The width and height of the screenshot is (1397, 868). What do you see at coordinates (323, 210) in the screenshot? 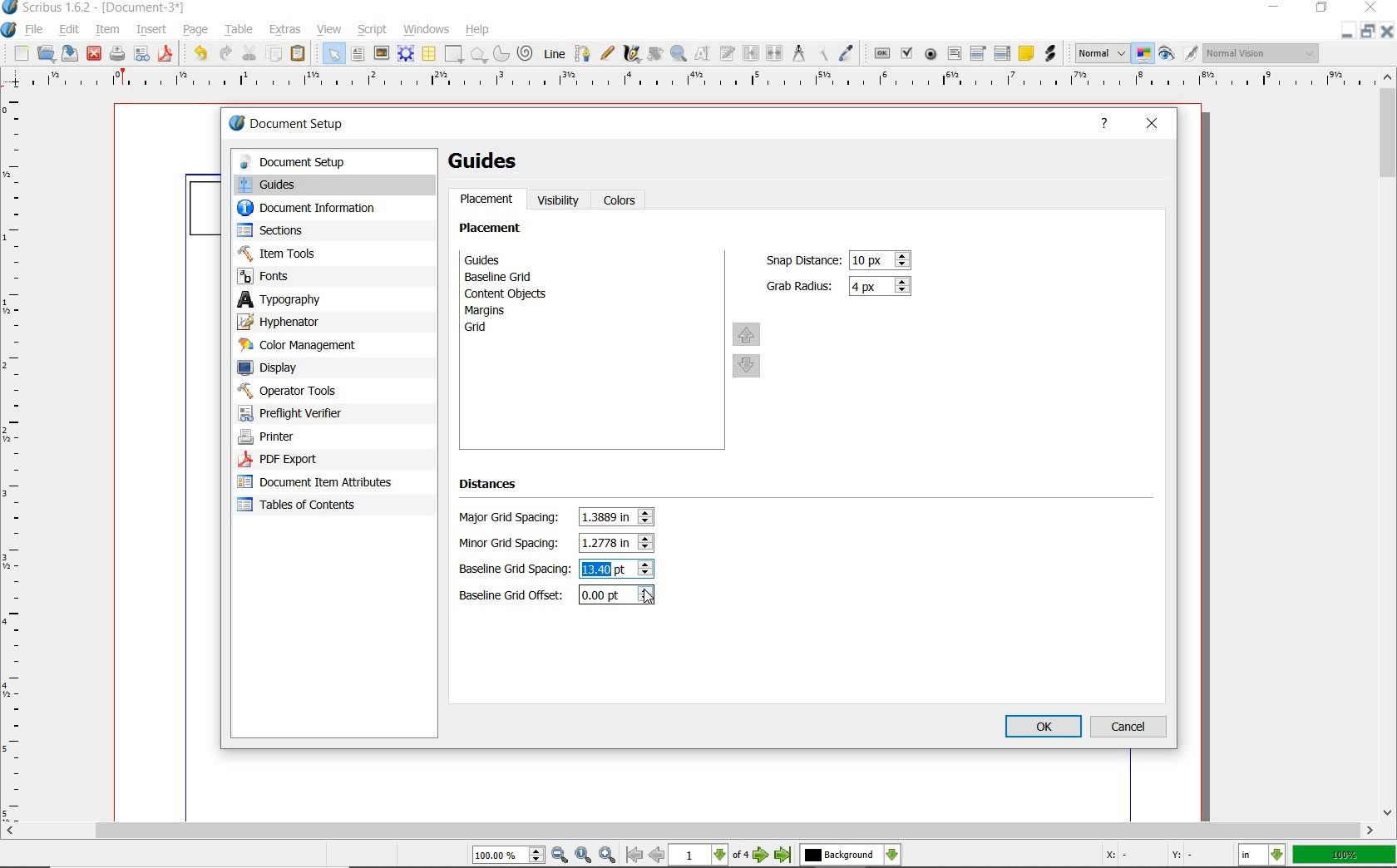
I see `document information` at bounding box center [323, 210].